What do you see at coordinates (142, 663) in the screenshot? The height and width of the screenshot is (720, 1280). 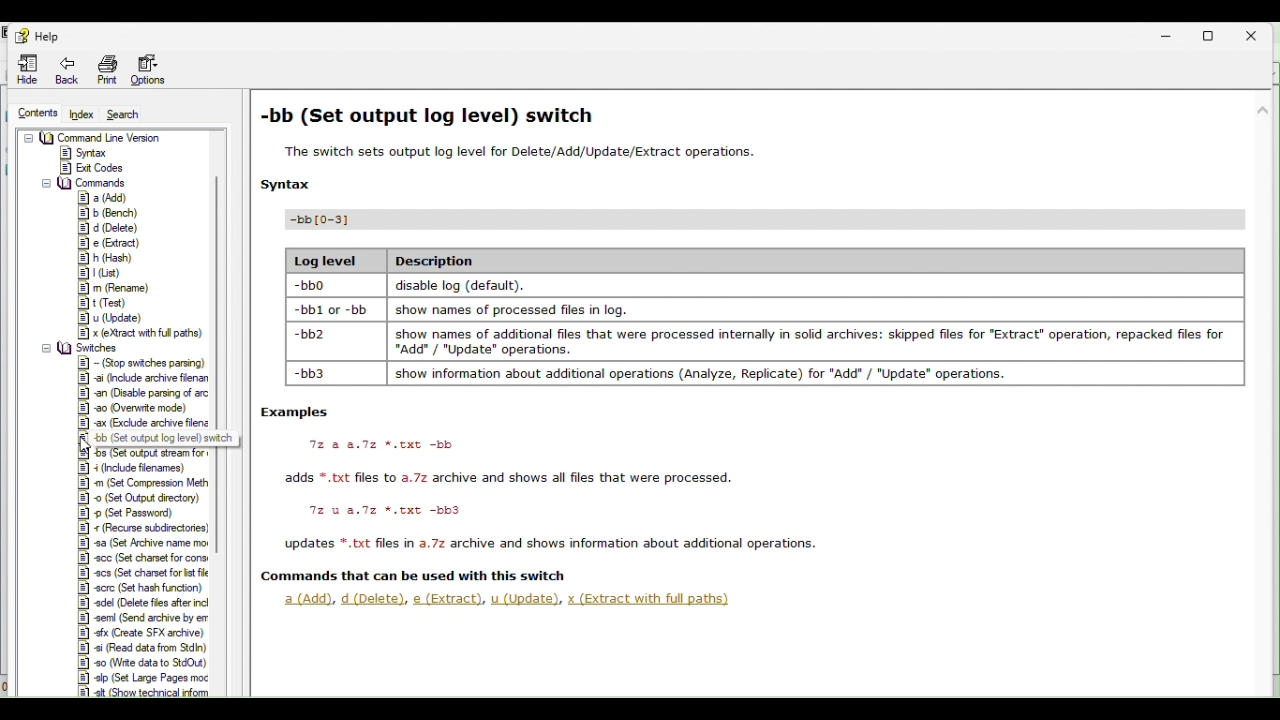 I see `&] s0 (Wite data to StdOut)` at bounding box center [142, 663].